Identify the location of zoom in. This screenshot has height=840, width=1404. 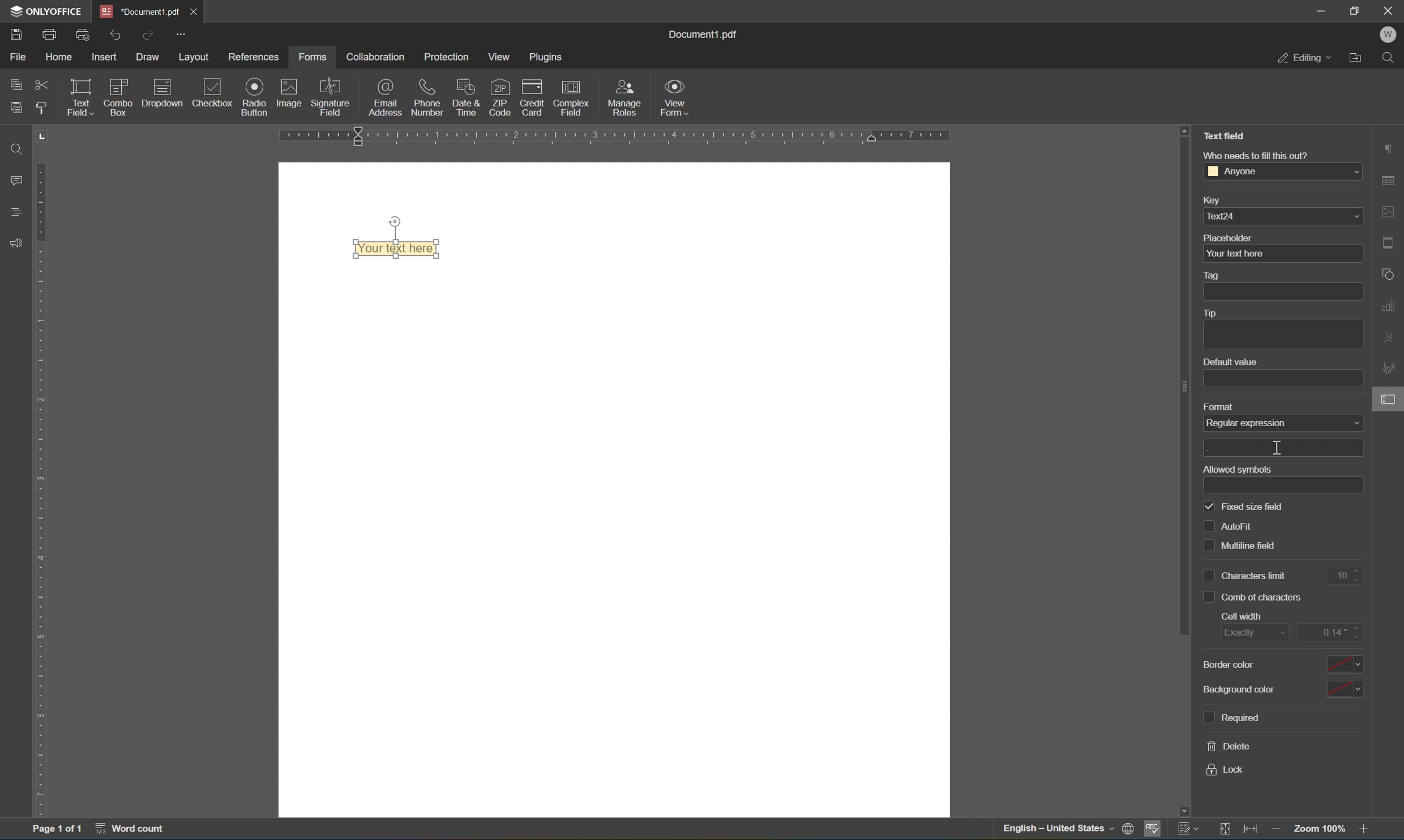
(1368, 830).